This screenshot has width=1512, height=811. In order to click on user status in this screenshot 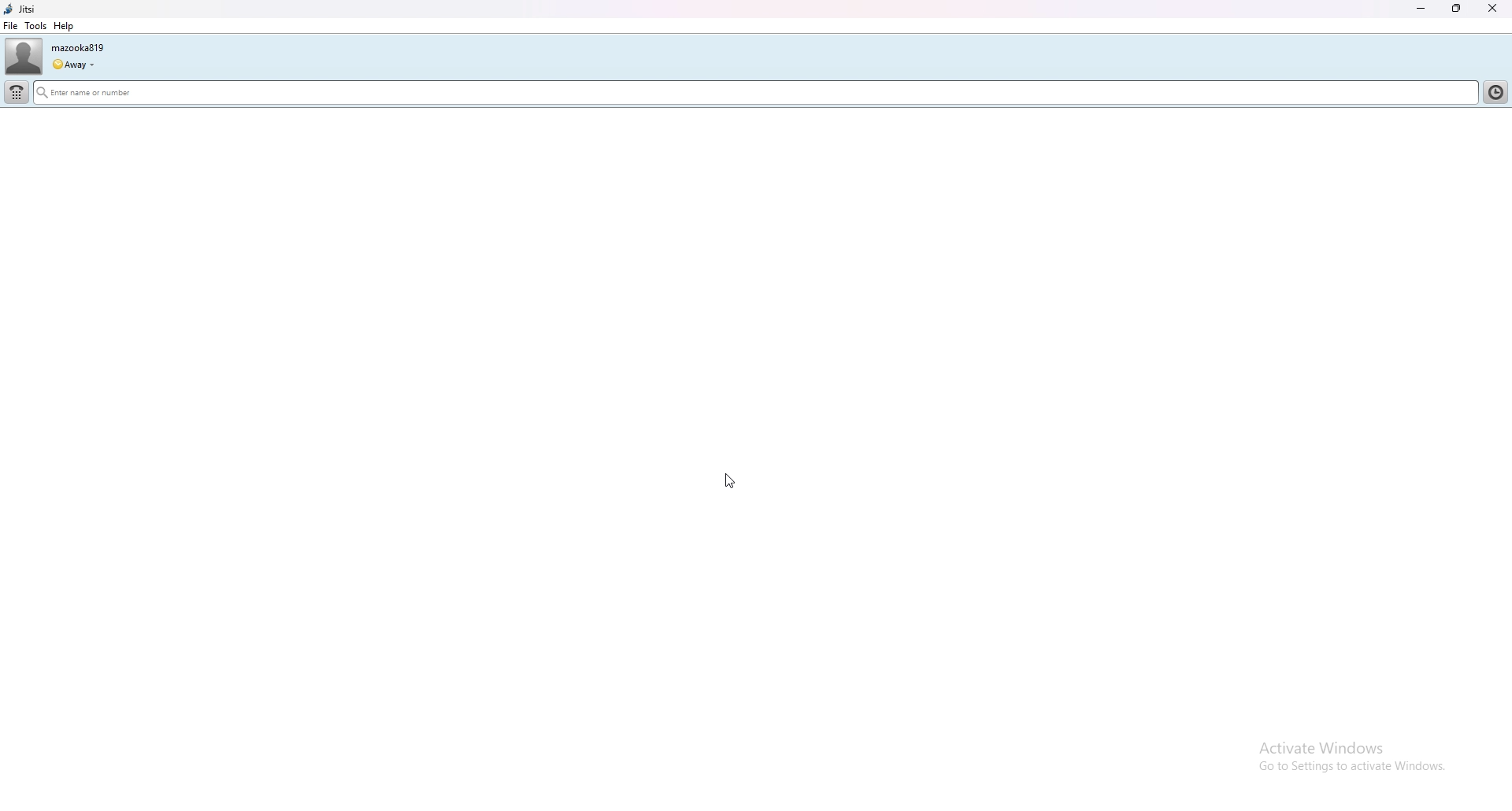, I will do `click(73, 65)`.